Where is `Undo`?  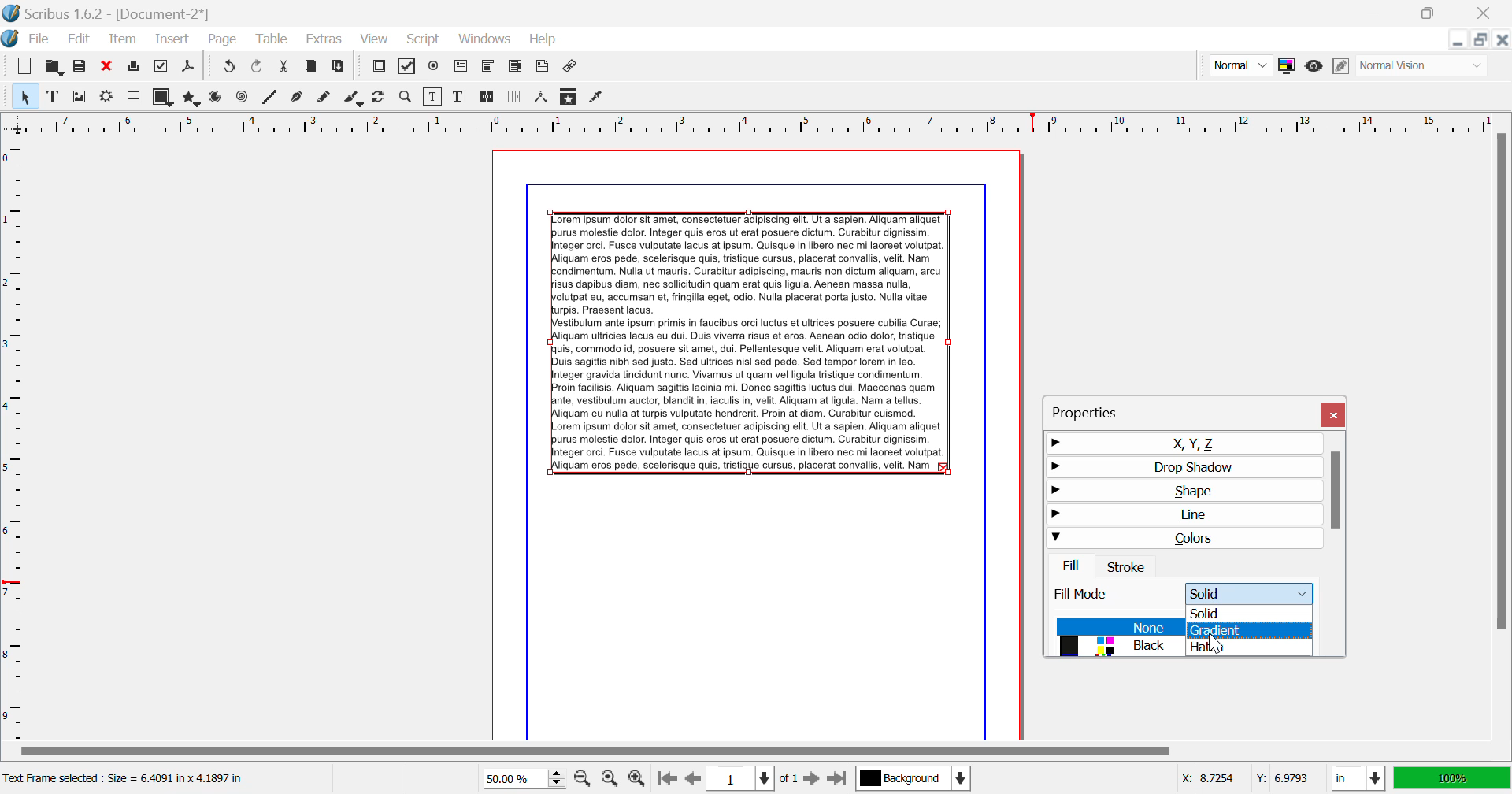
Undo is located at coordinates (259, 68).